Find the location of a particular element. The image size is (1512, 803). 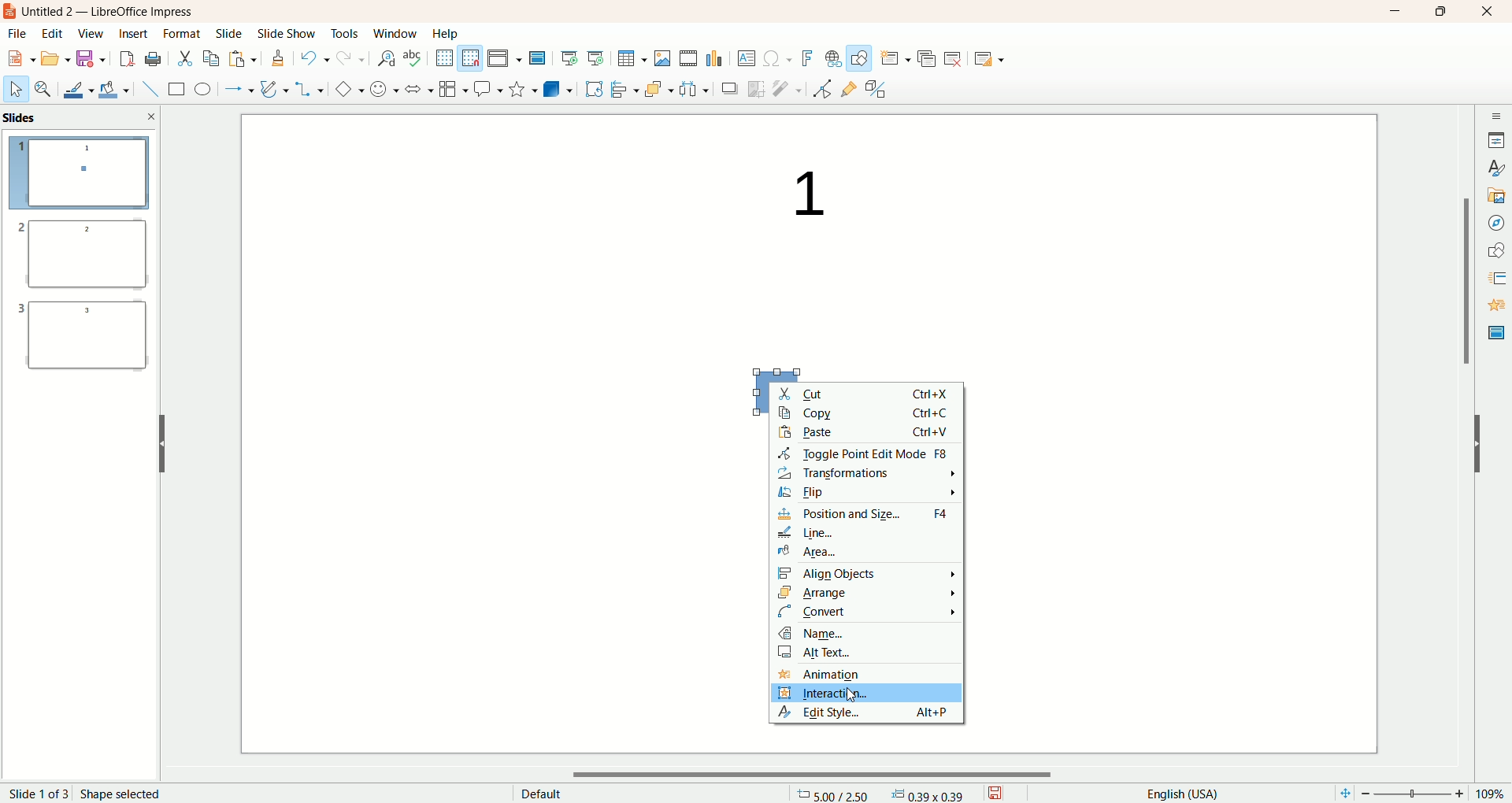

select is located at coordinates (16, 92).